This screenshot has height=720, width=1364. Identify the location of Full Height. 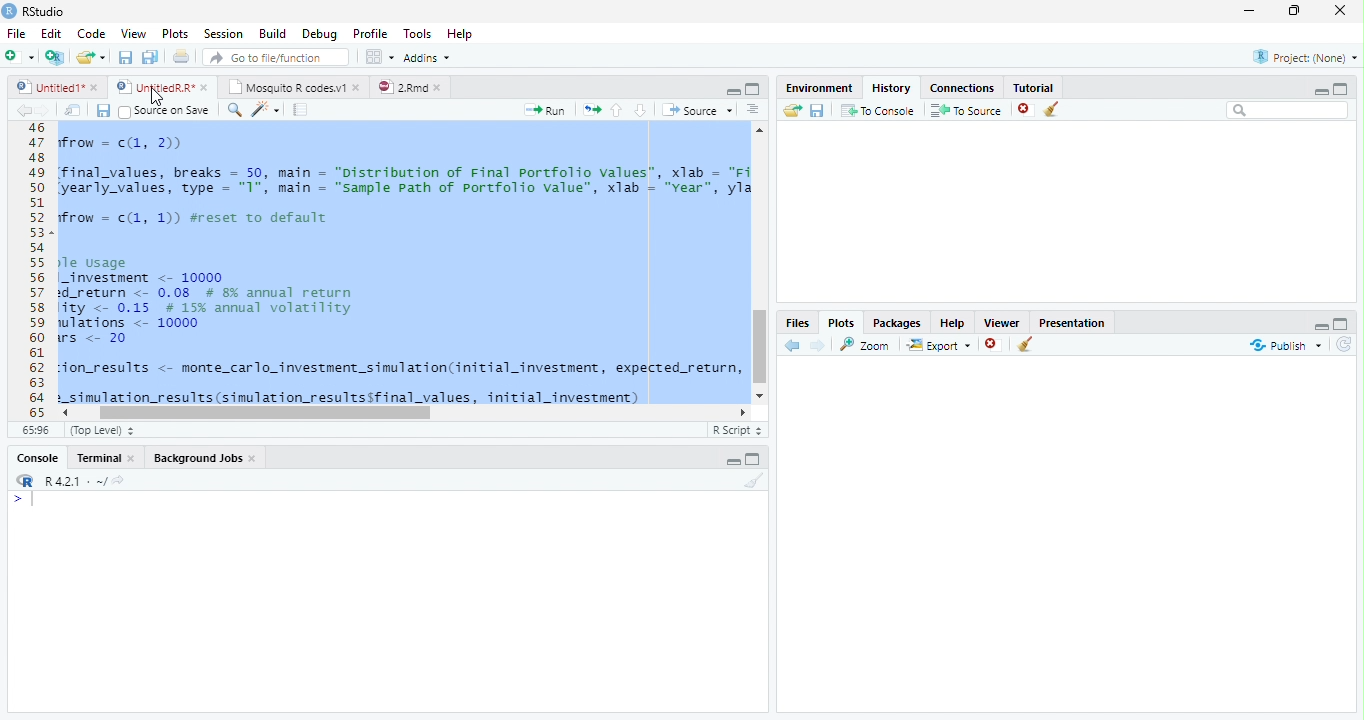
(1343, 322).